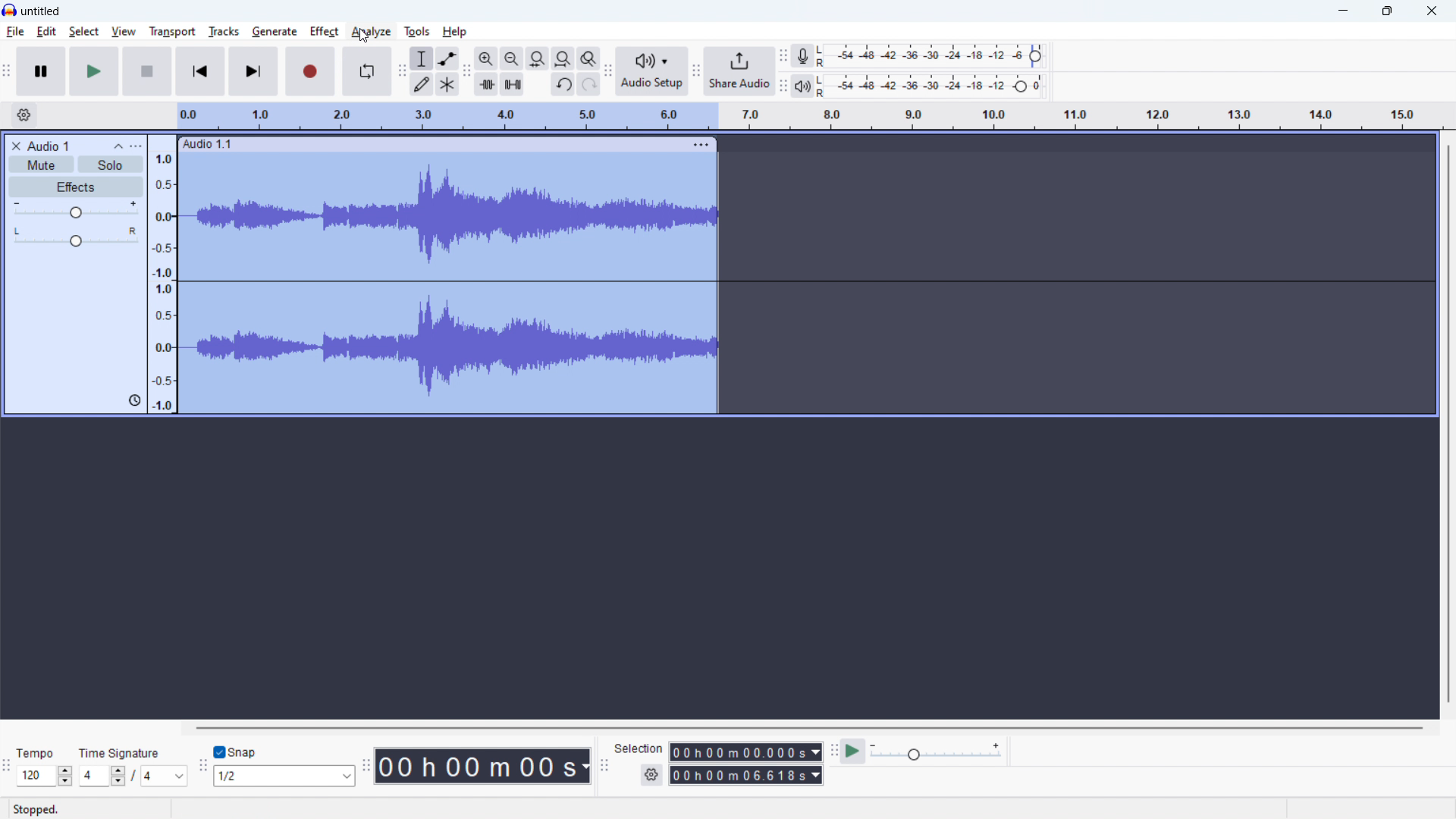 The image size is (1456, 819). Describe the element at coordinates (24, 115) in the screenshot. I see `timeline settings` at that location.